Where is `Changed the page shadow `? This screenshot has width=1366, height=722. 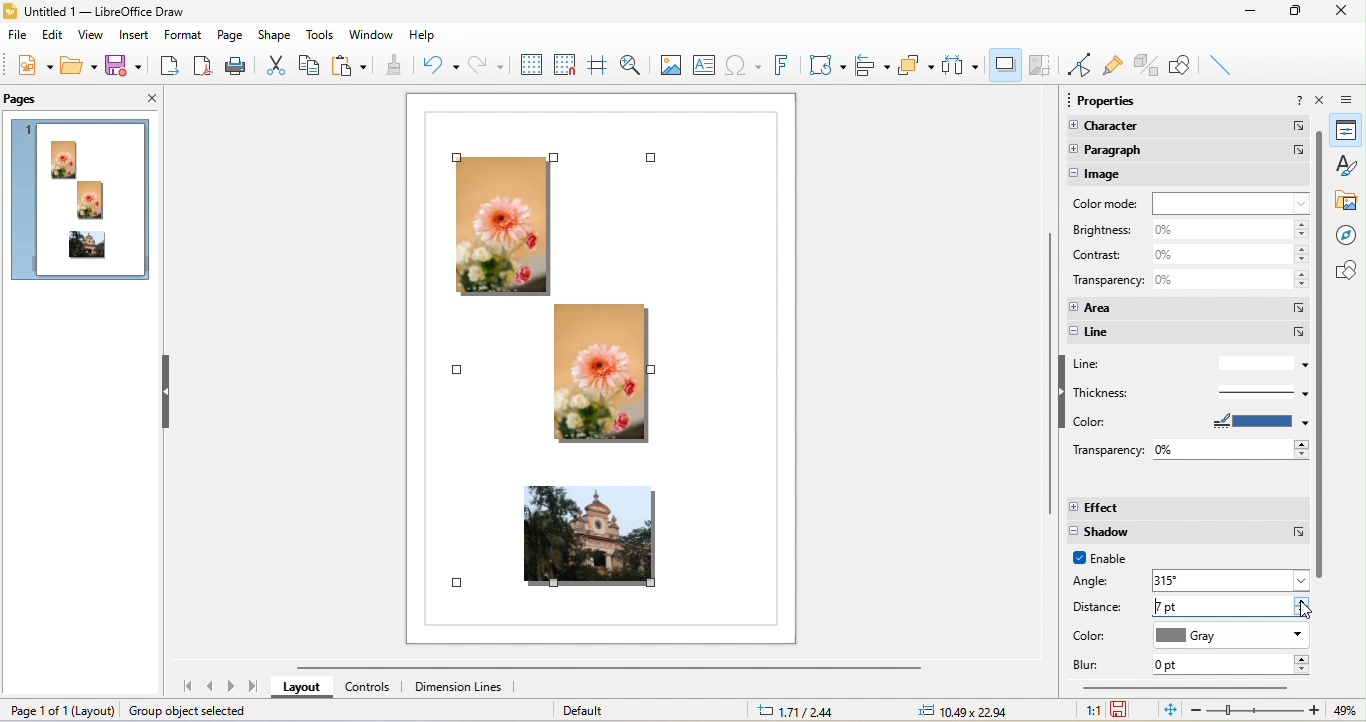 Changed the page shadow  is located at coordinates (590, 380).